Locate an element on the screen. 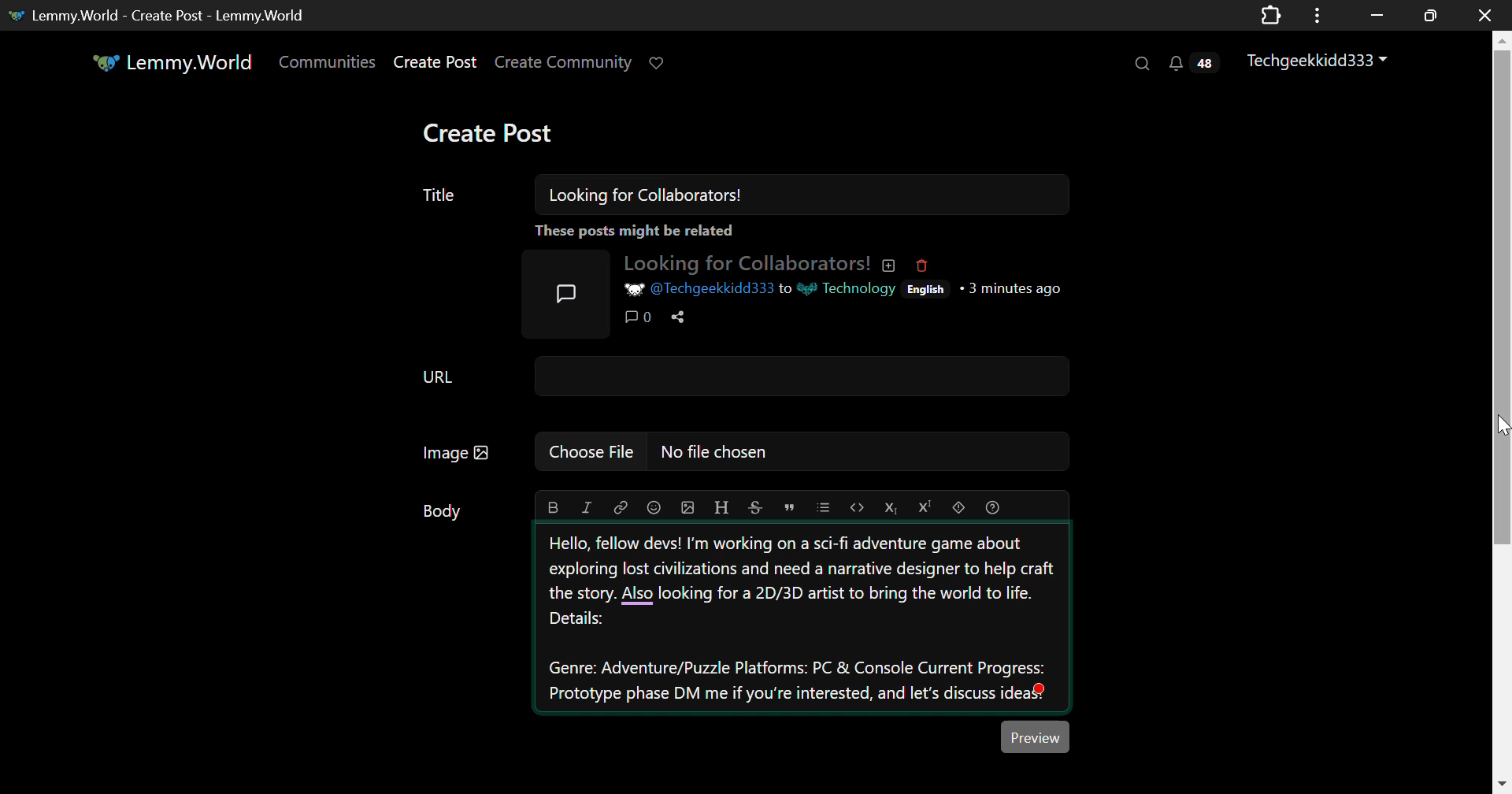 This screenshot has height=794, width=1512. Comments is located at coordinates (638, 317).